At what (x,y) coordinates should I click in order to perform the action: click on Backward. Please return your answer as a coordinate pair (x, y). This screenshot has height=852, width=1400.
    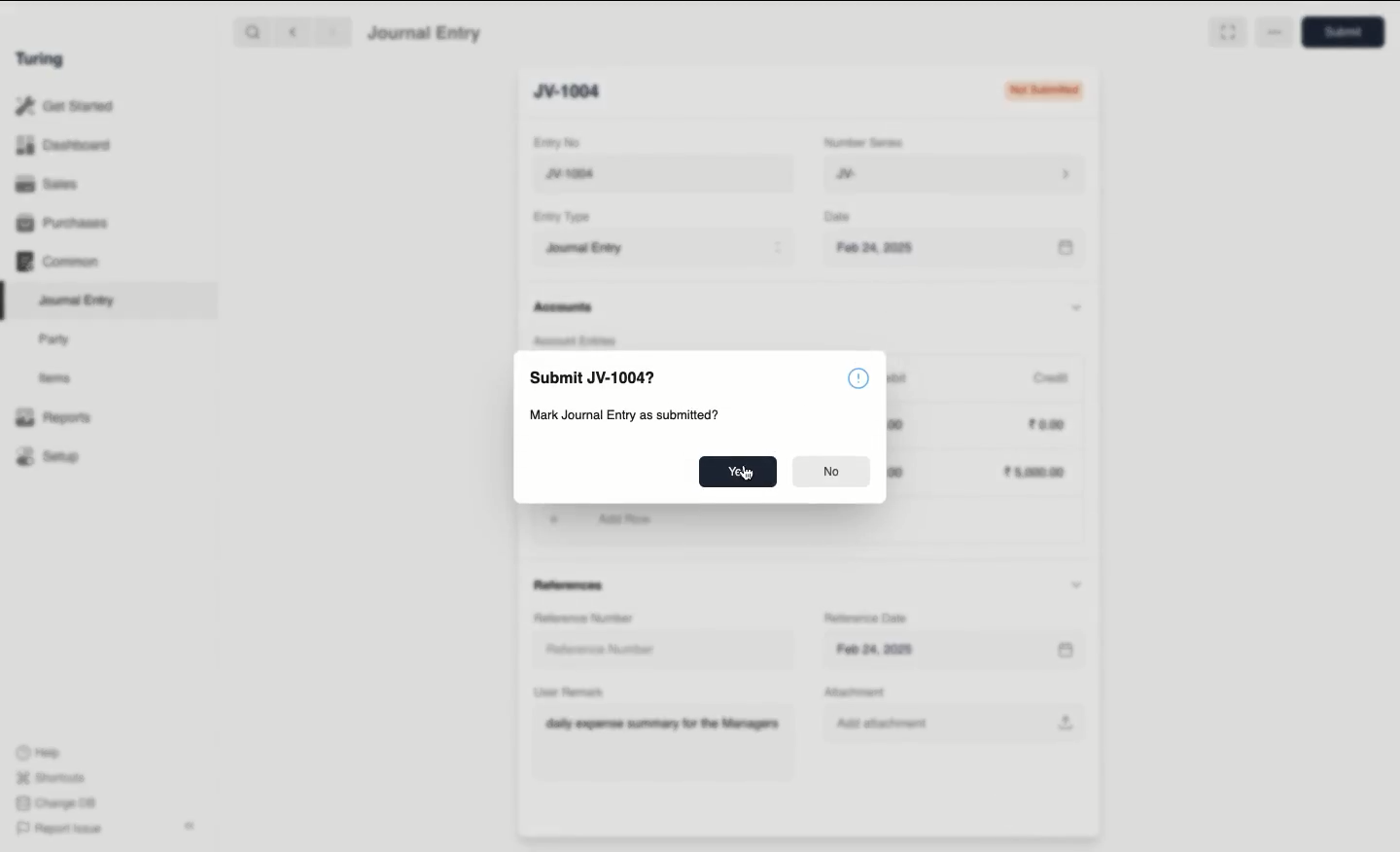
    Looking at the image, I should click on (293, 31).